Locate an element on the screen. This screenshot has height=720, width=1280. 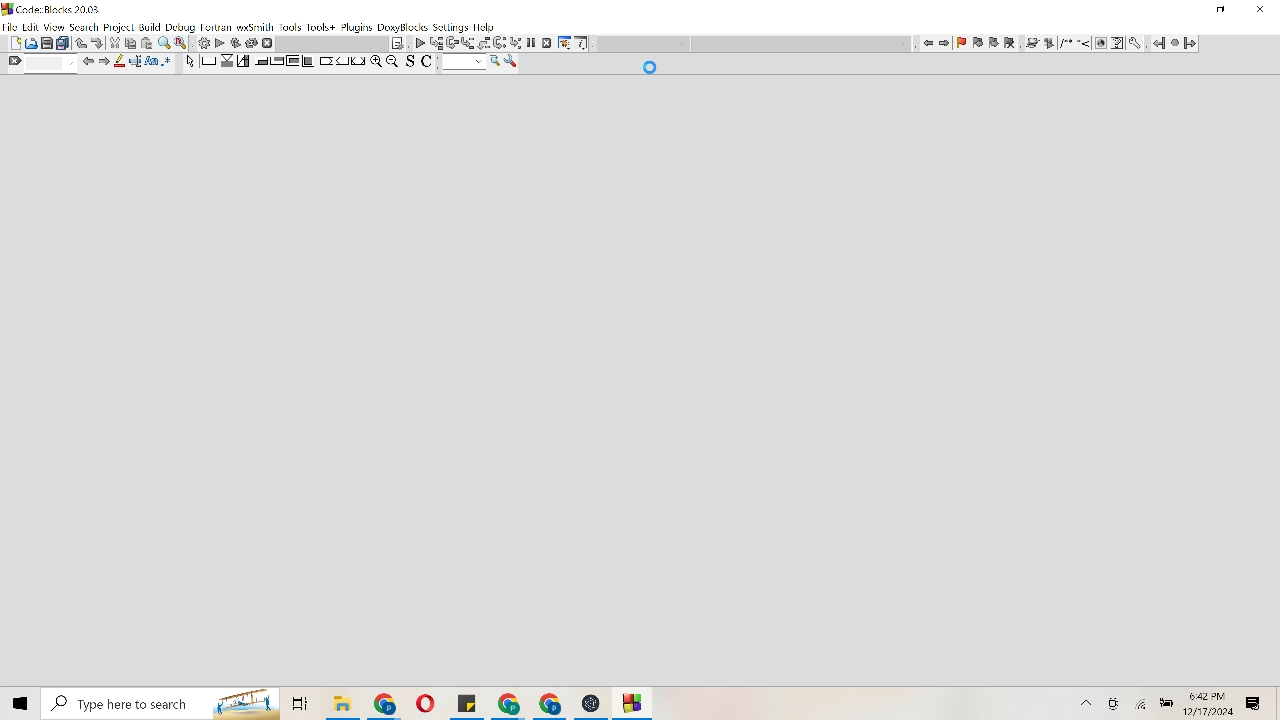
Picture is located at coordinates (31, 42).